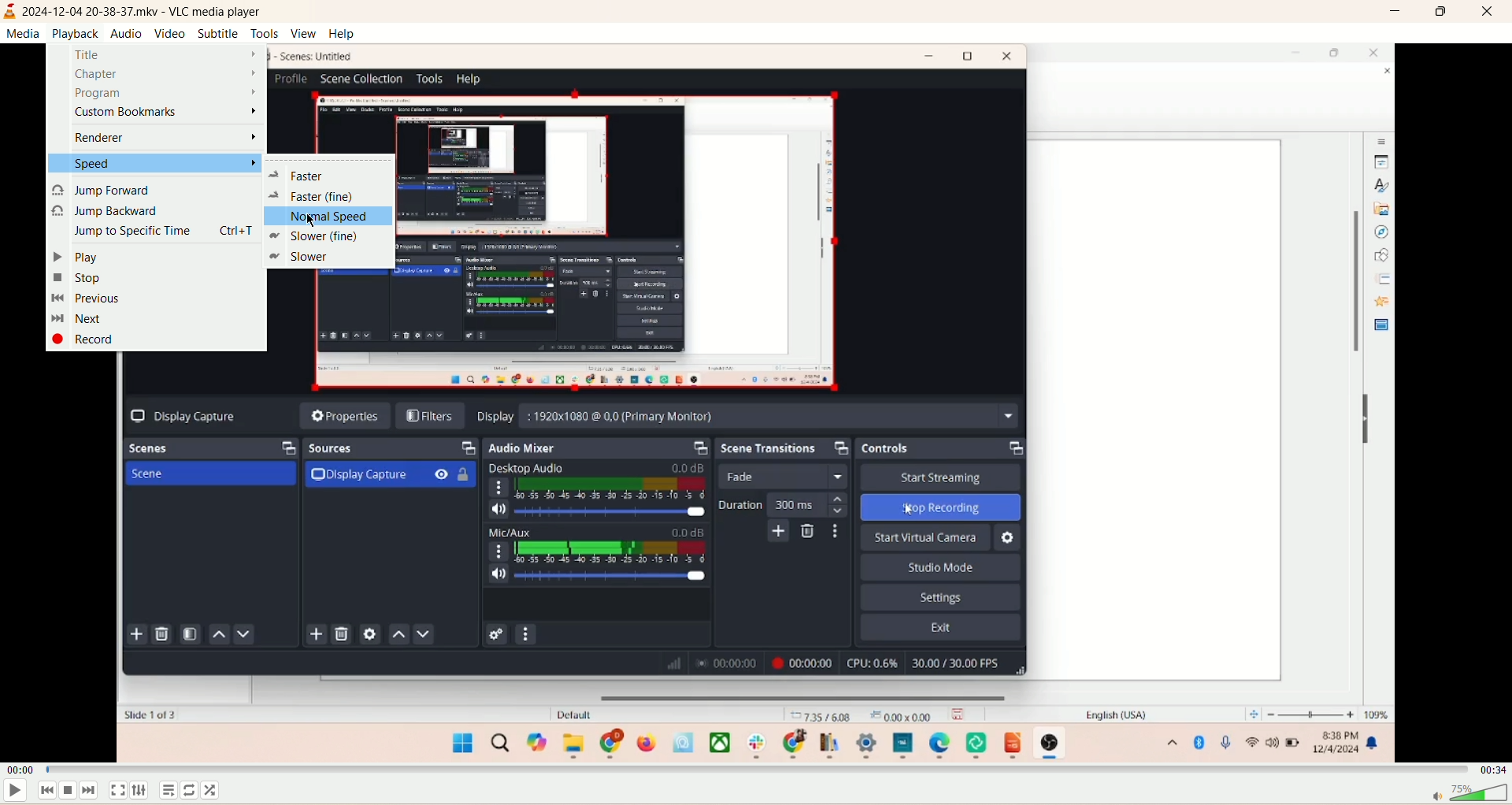 This screenshot has width=1512, height=805. Describe the element at coordinates (1395, 12) in the screenshot. I see `minimize` at that location.